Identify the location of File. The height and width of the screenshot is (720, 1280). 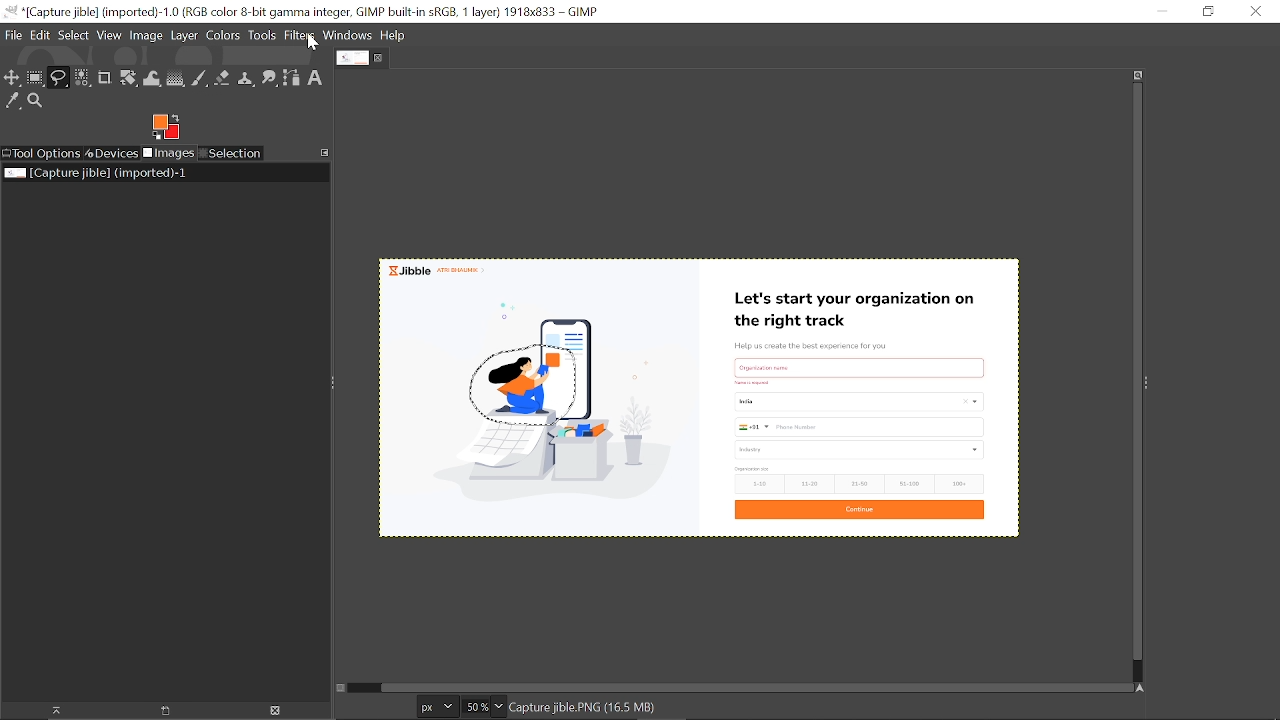
(13, 35).